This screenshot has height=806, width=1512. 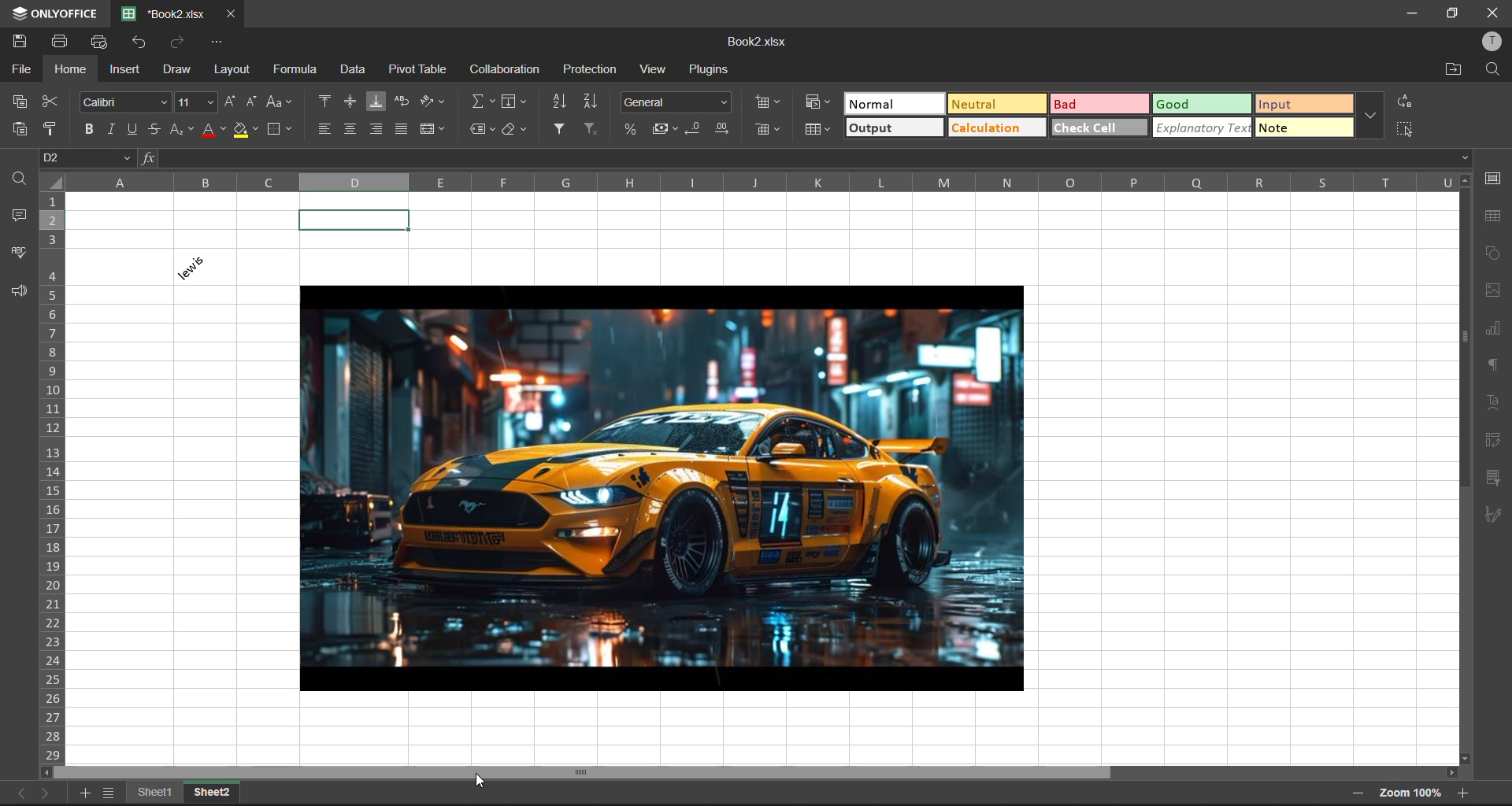 I want to click on normal, so click(x=895, y=104).